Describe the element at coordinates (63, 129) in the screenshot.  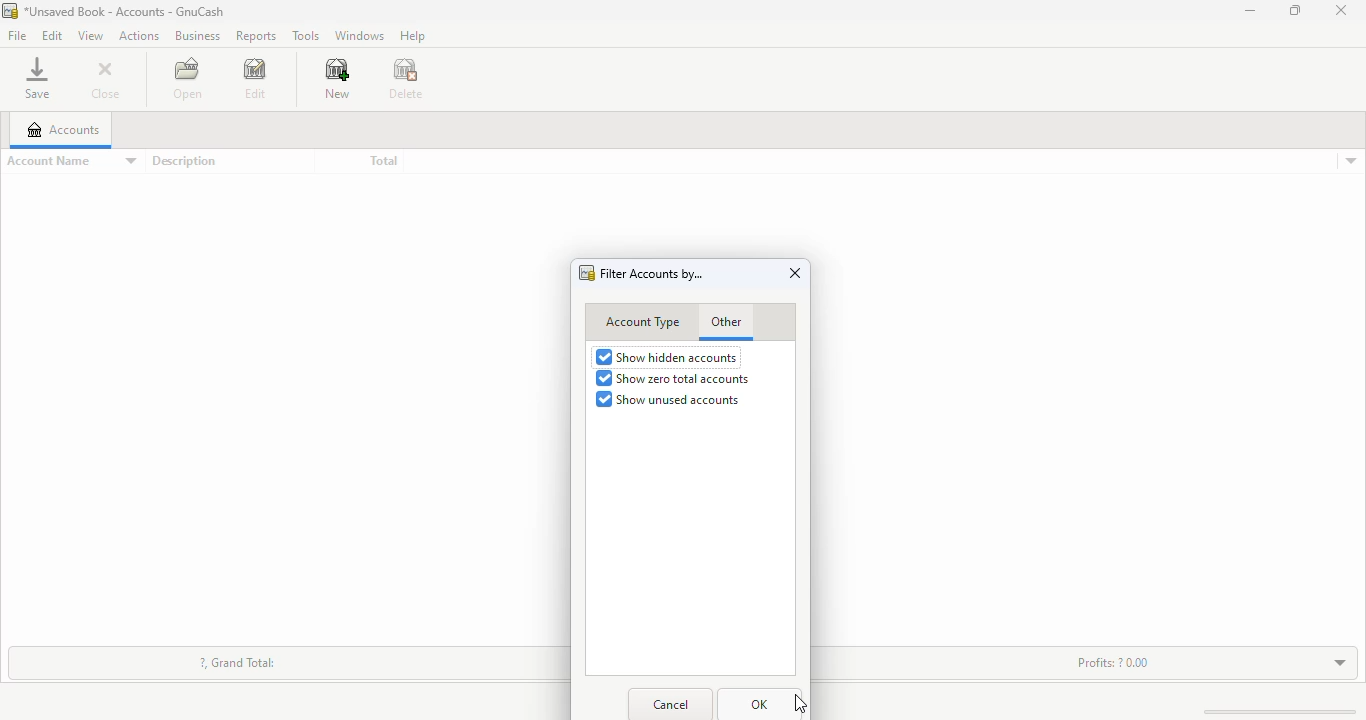
I see `accounts` at that location.